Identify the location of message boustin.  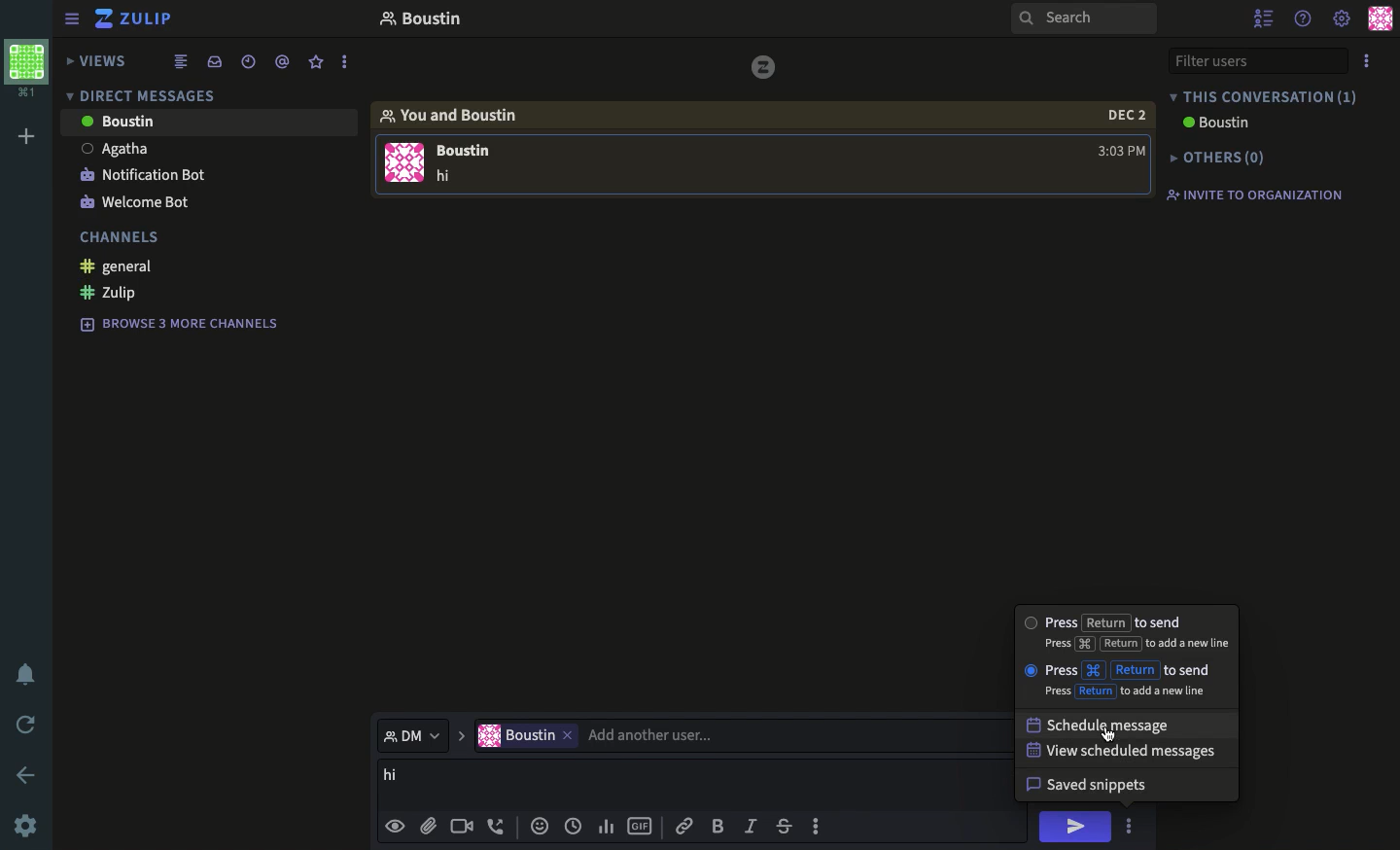
(682, 785).